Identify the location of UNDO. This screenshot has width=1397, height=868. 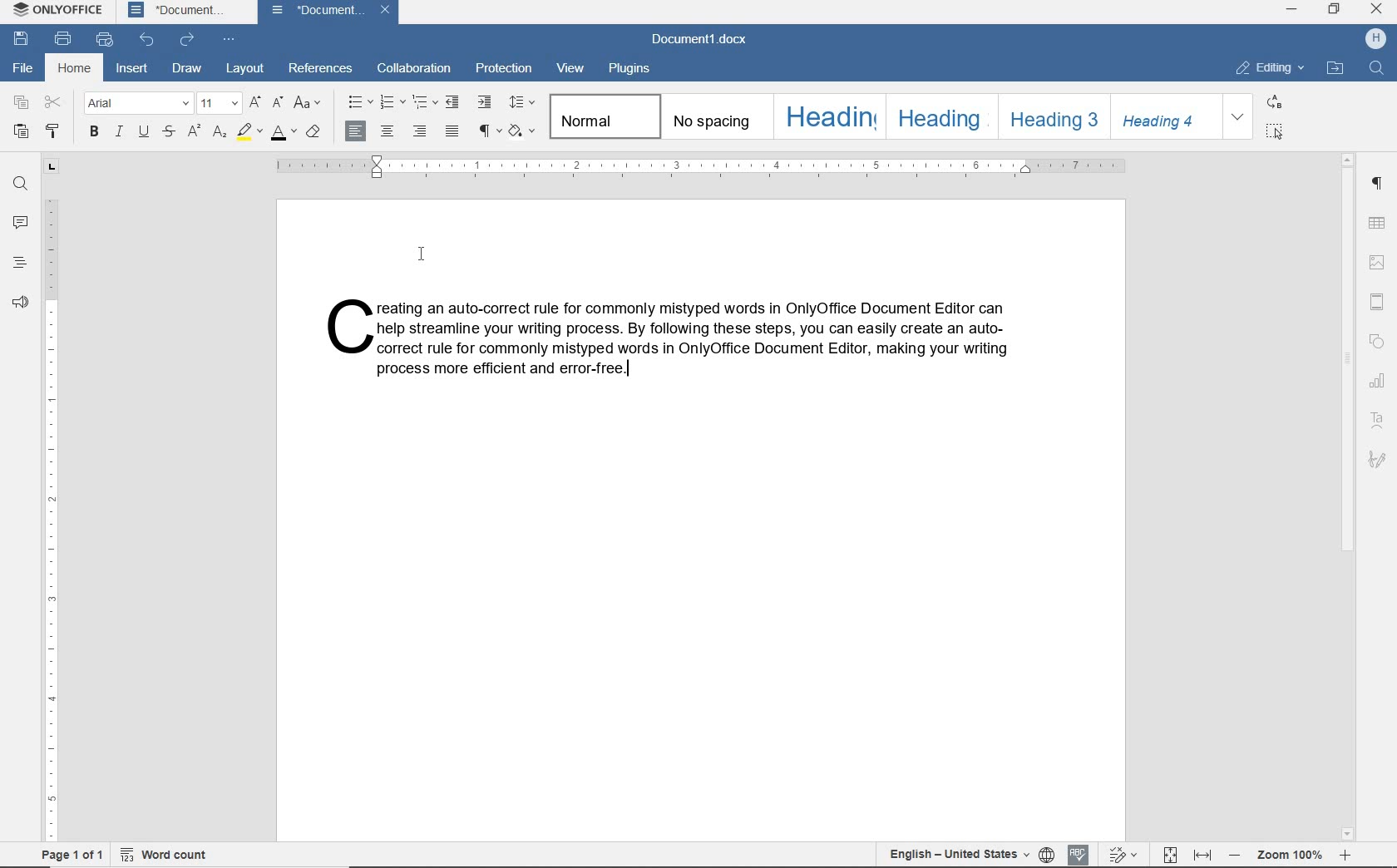
(148, 37).